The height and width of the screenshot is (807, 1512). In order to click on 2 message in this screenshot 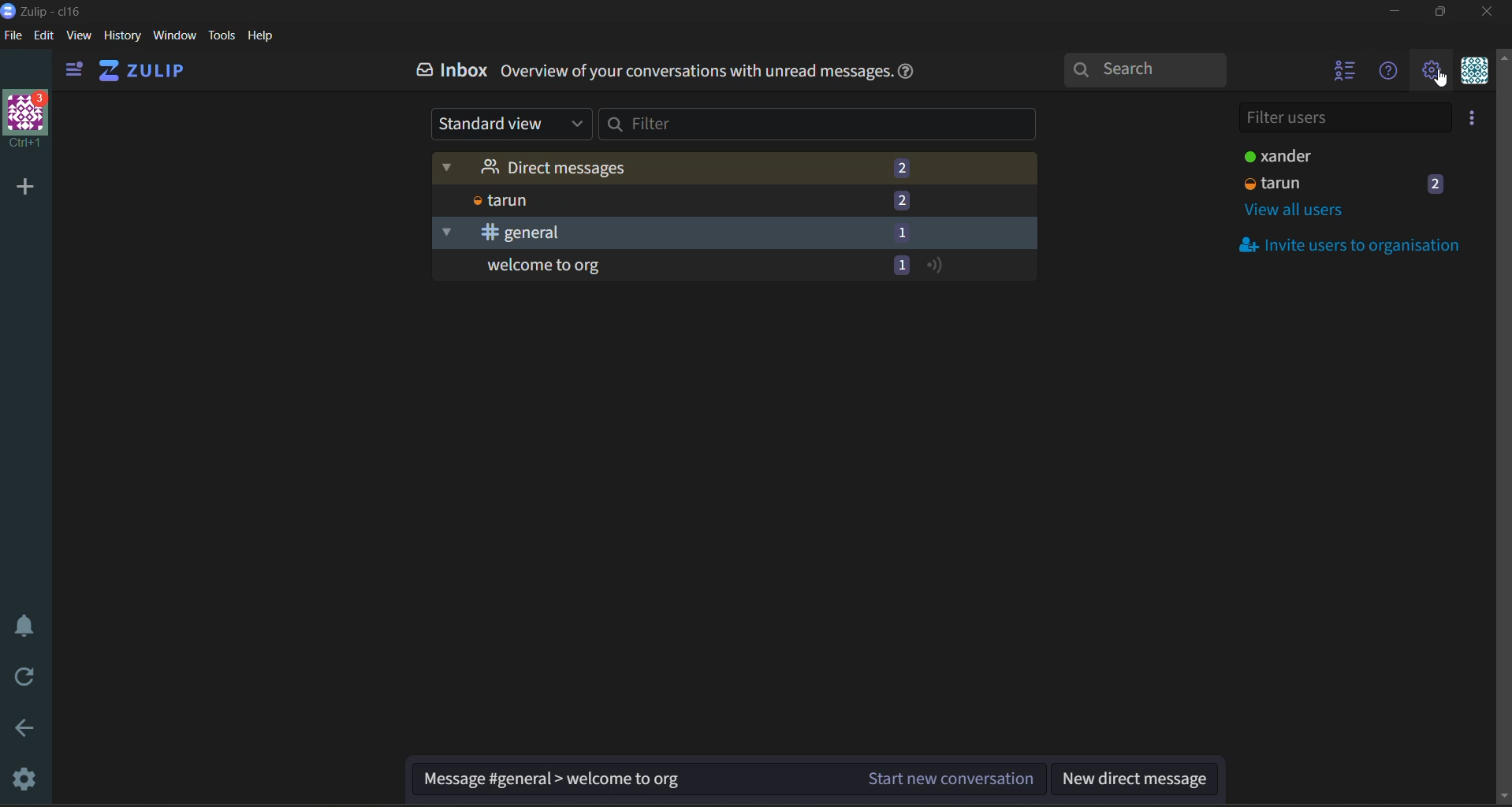, I will do `click(902, 166)`.